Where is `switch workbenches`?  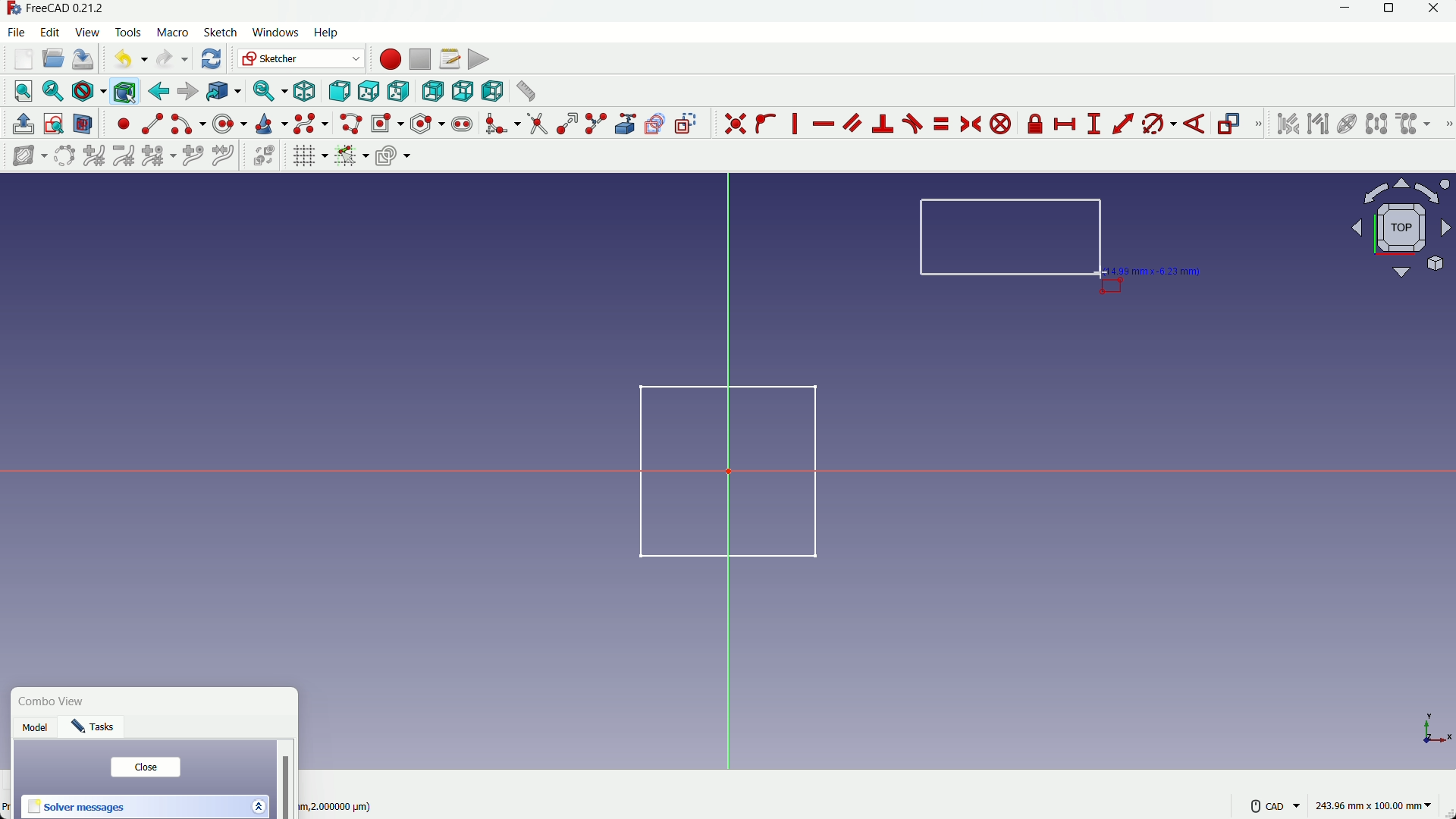
switch workbenches is located at coordinates (300, 58).